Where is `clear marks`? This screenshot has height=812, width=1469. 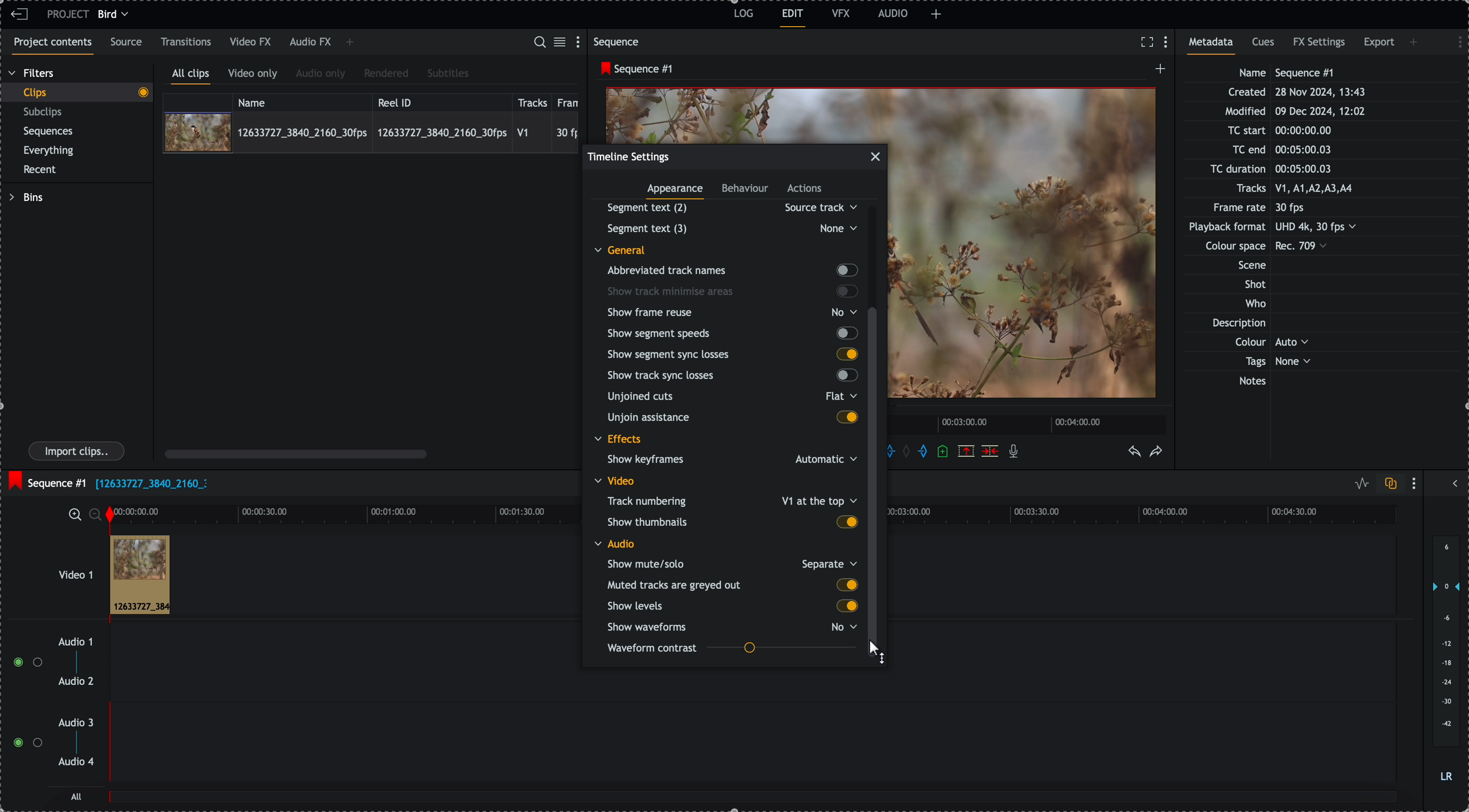 clear marks is located at coordinates (910, 452).